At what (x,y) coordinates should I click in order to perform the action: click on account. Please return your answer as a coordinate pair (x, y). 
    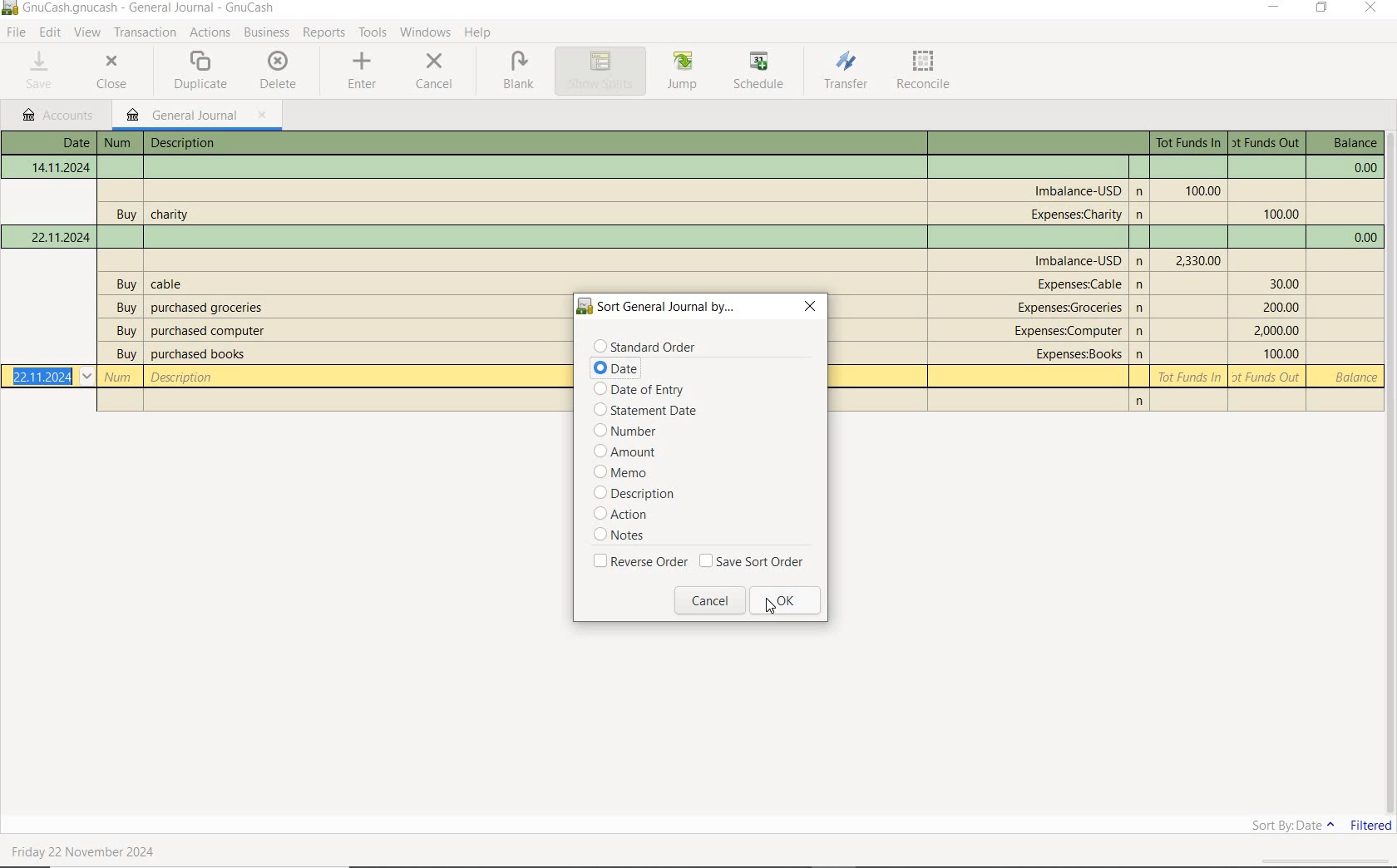
    Looking at the image, I should click on (1072, 308).